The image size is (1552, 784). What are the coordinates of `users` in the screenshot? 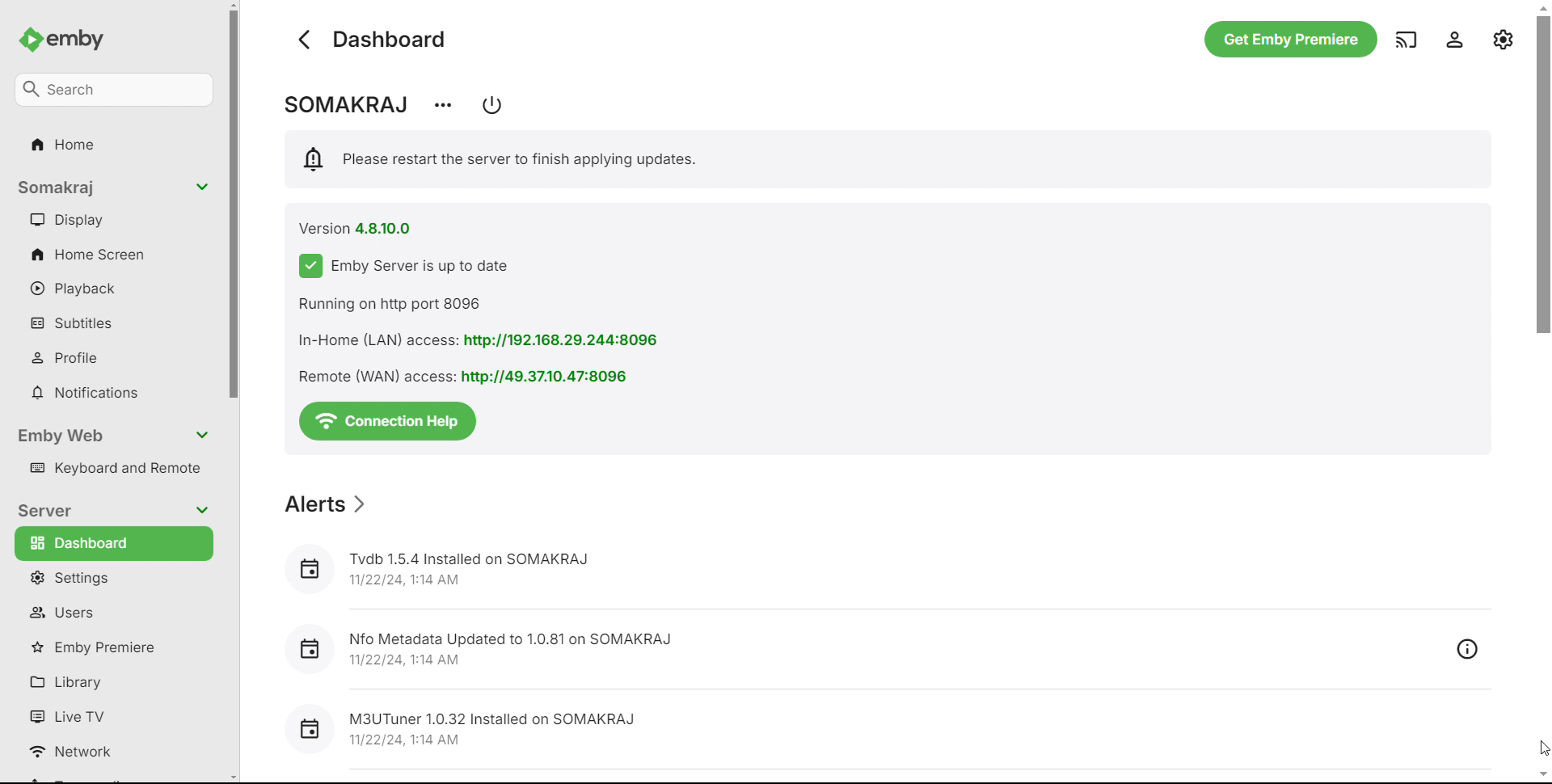 It's located at (111, 612).